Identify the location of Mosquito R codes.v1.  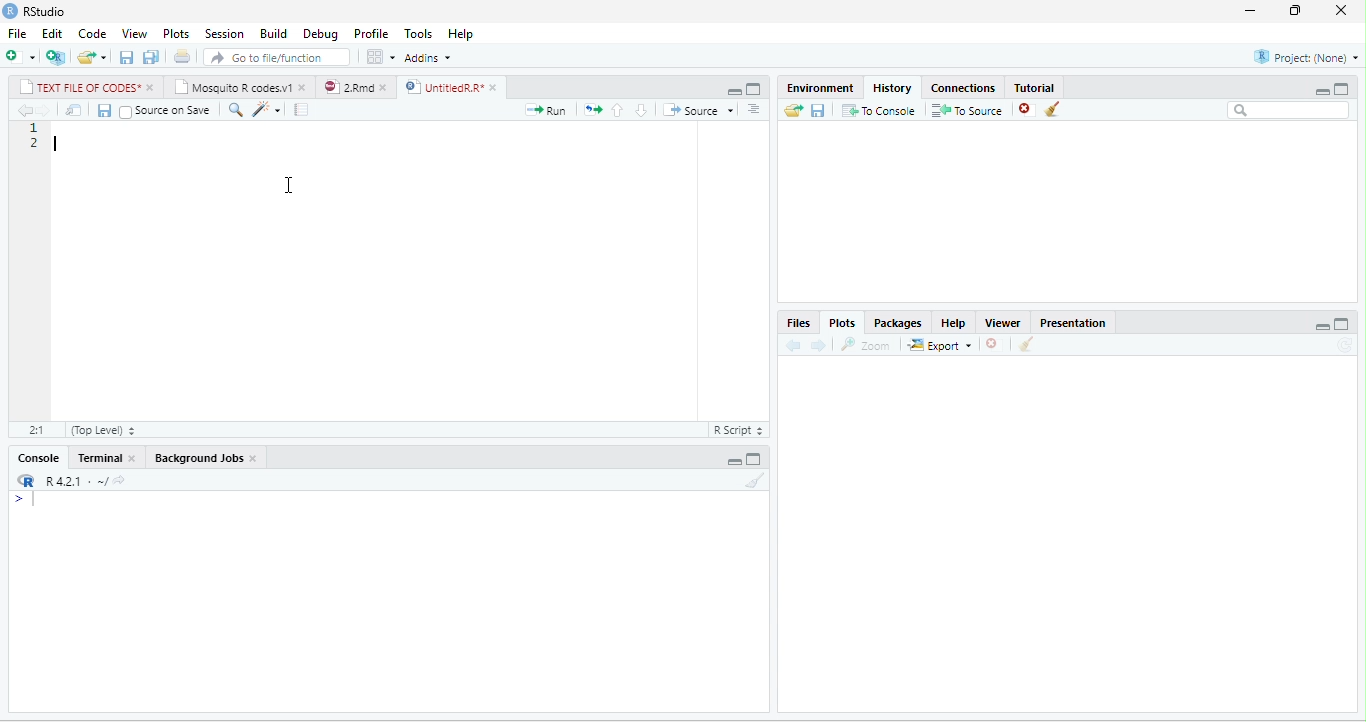
(233, 86).